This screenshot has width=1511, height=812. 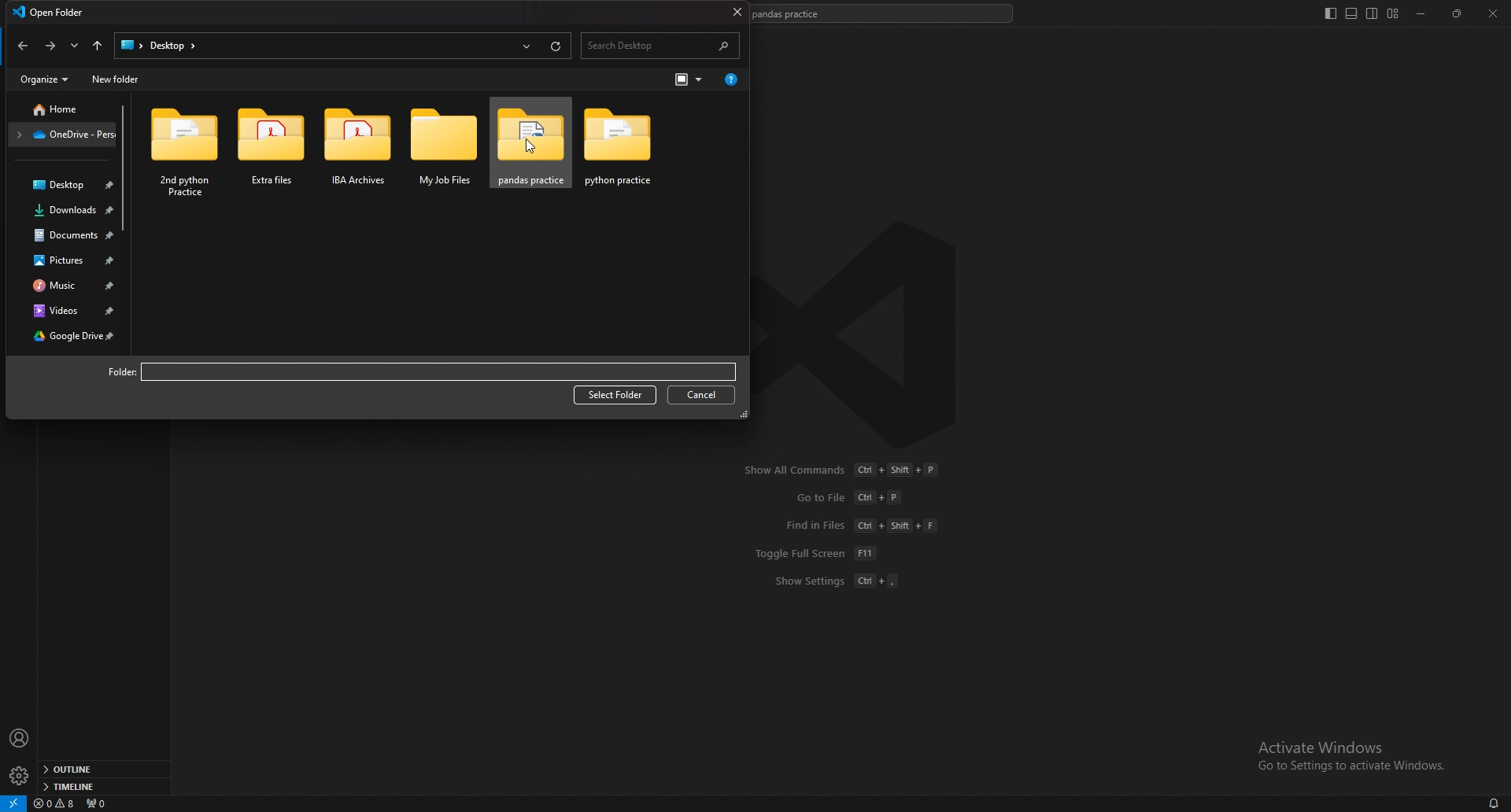 I want to click on toggle panel, so click(x=1351, y=14).